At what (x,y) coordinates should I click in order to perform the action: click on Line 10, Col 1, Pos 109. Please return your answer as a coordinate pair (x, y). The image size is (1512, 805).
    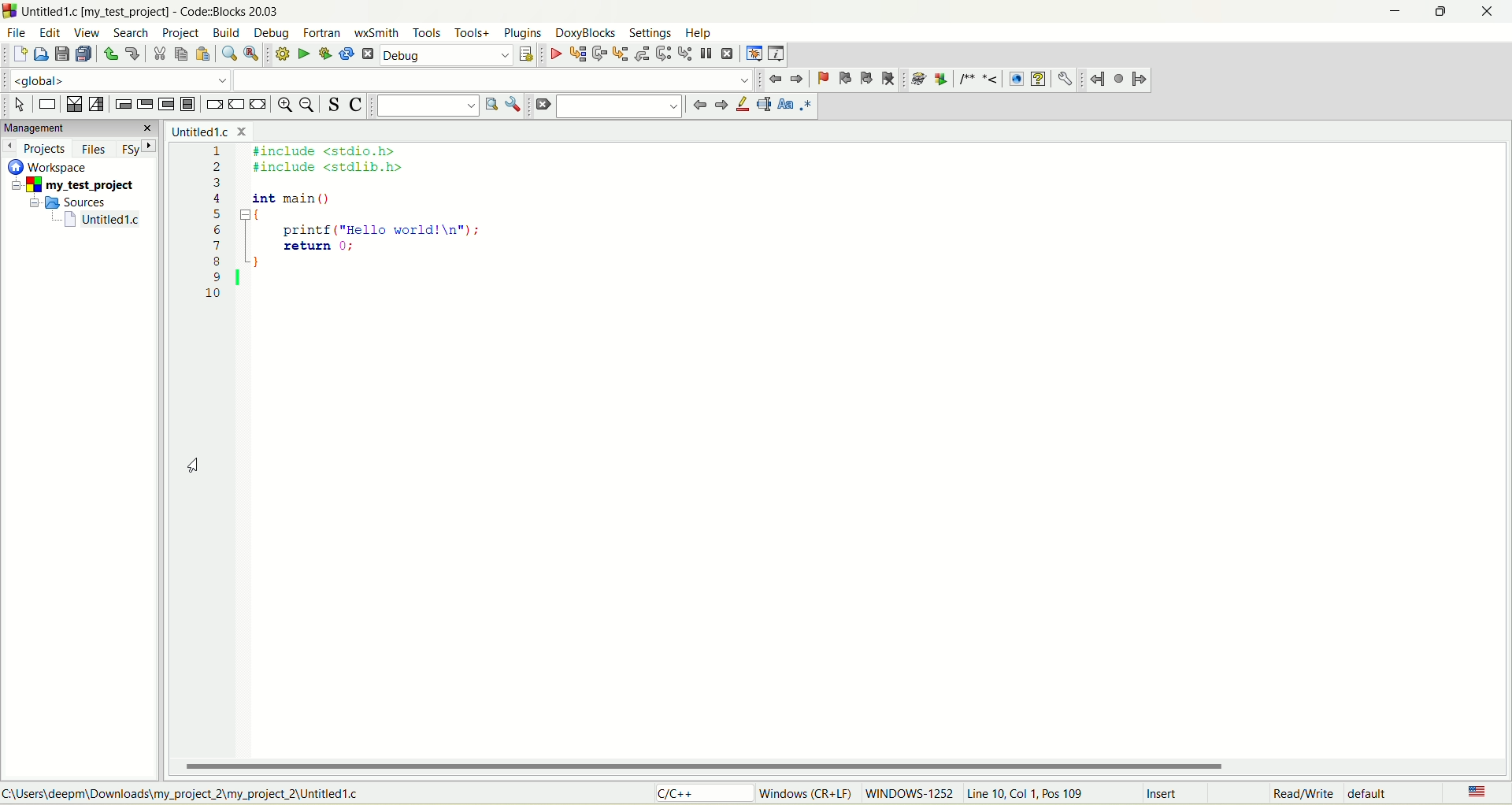
    Looking at the image, I should click on (1027, 794).